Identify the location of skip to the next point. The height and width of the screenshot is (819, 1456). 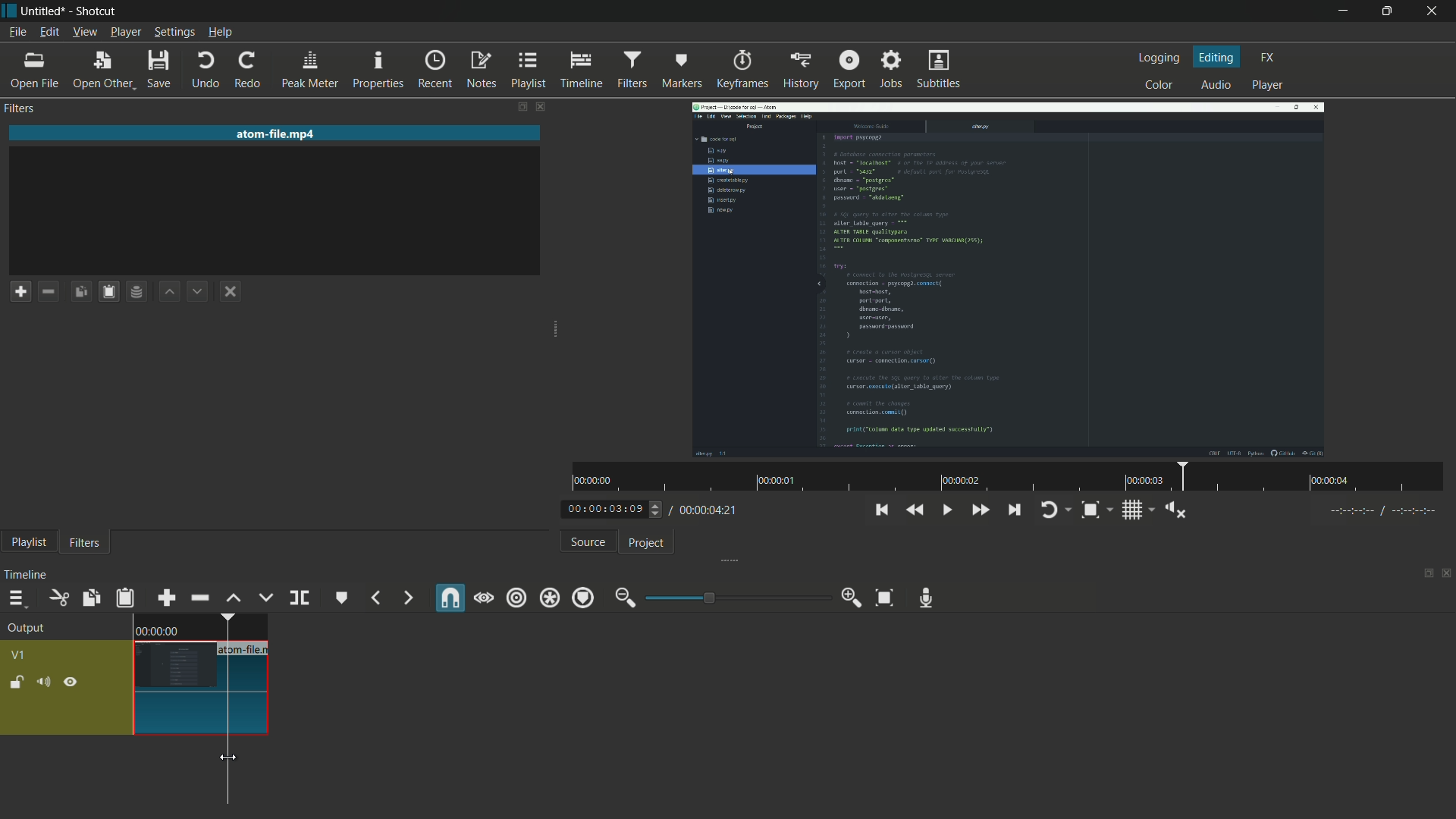
(1013, 510).